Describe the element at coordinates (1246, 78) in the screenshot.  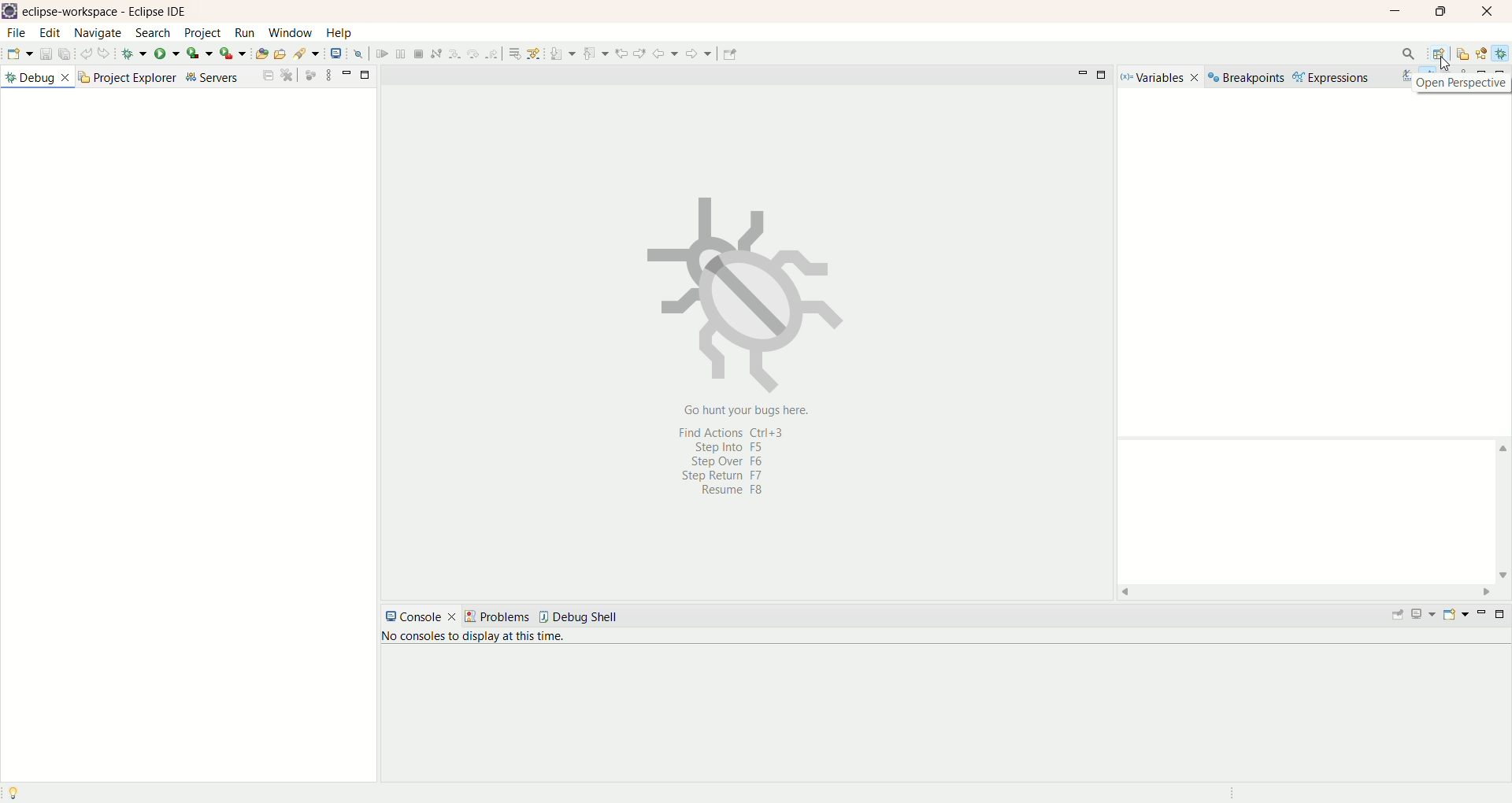
I see `breakpoints` at that location.